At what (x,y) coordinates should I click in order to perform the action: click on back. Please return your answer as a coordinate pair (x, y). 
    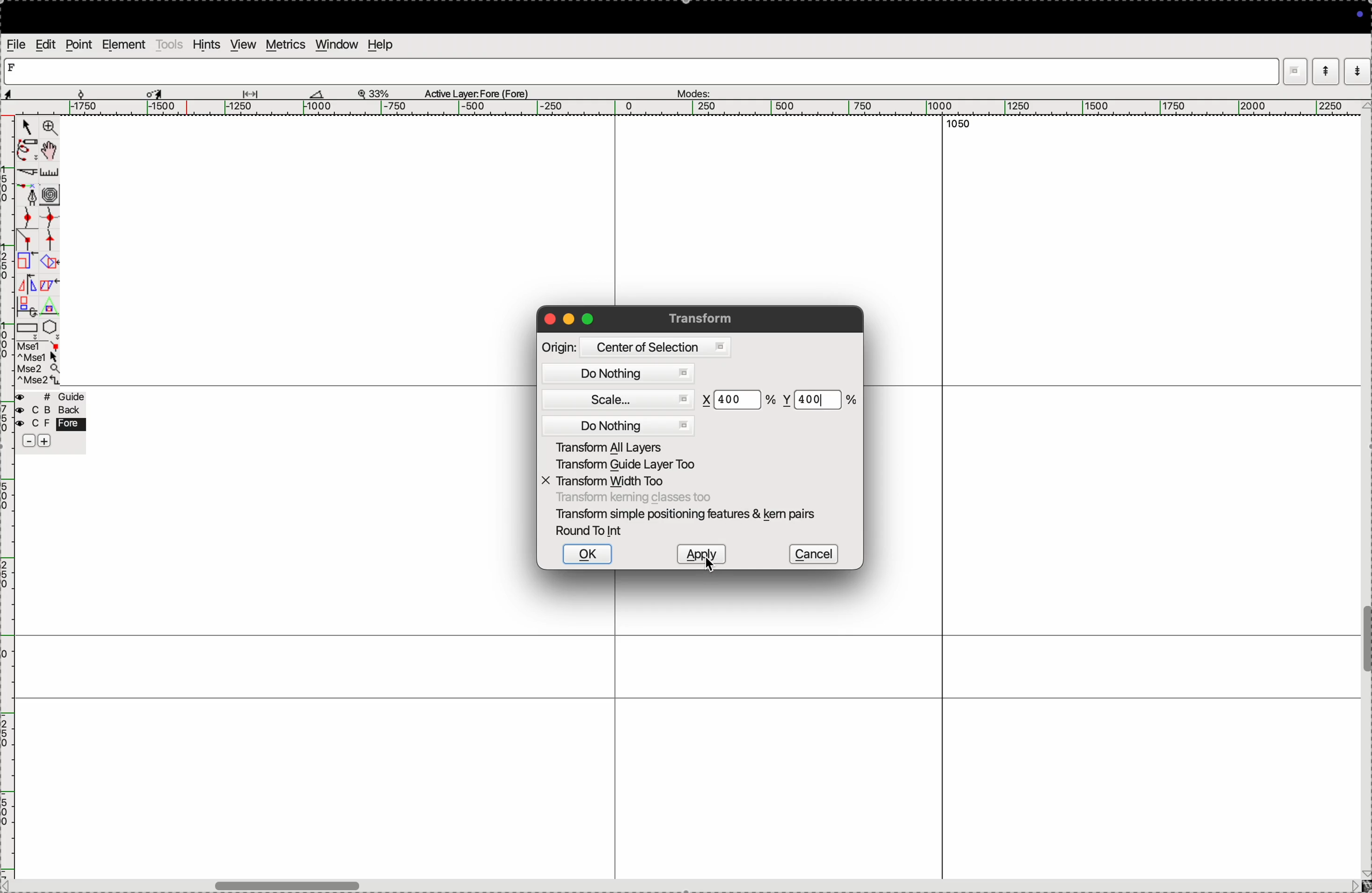
    Looking at the image, I should click on (47, 411).